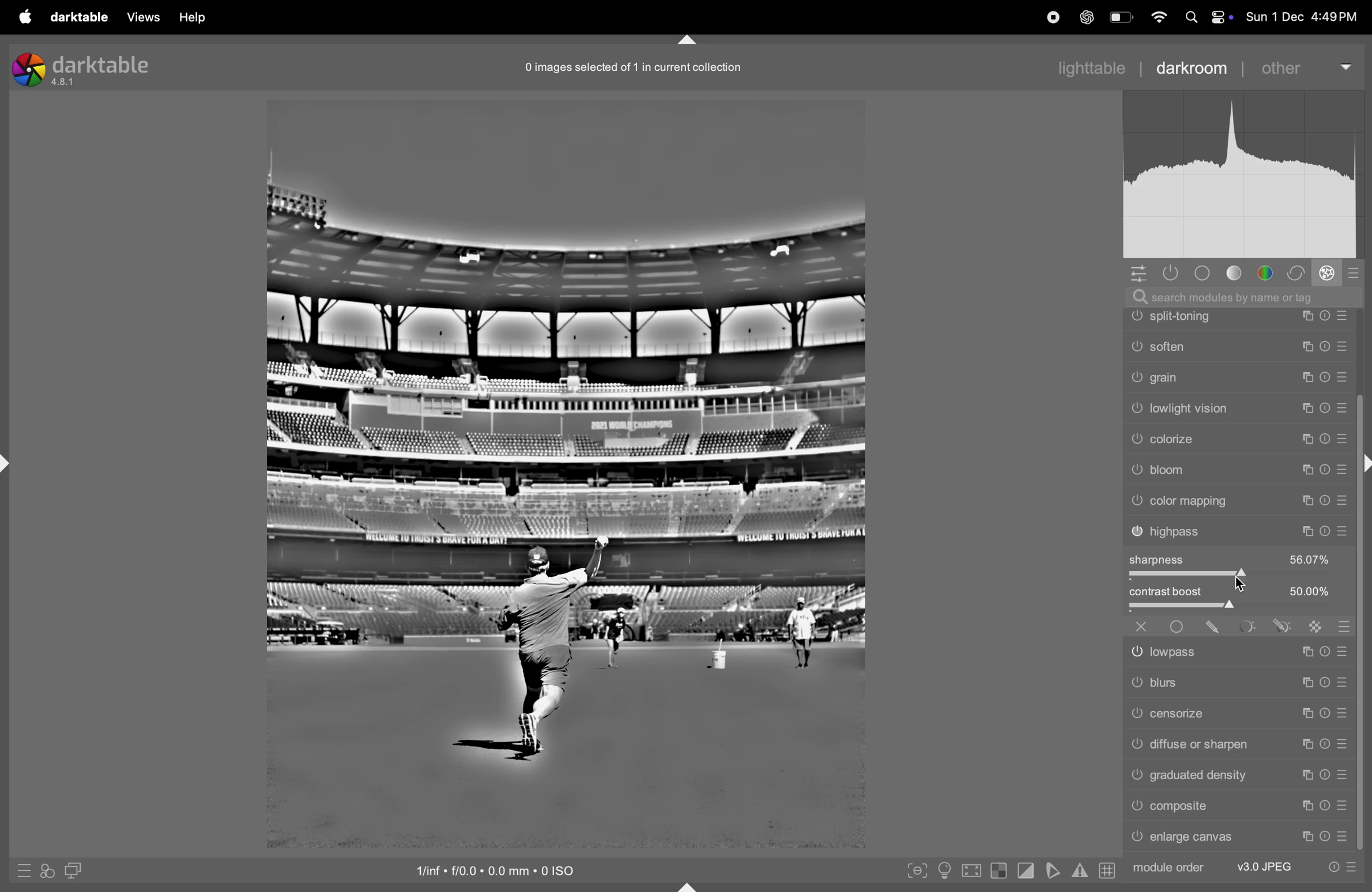  What do you see at coordinates (1051, 871) in the screenshot?
I see `toggle softproffing` at bounding box center [1051, 871].